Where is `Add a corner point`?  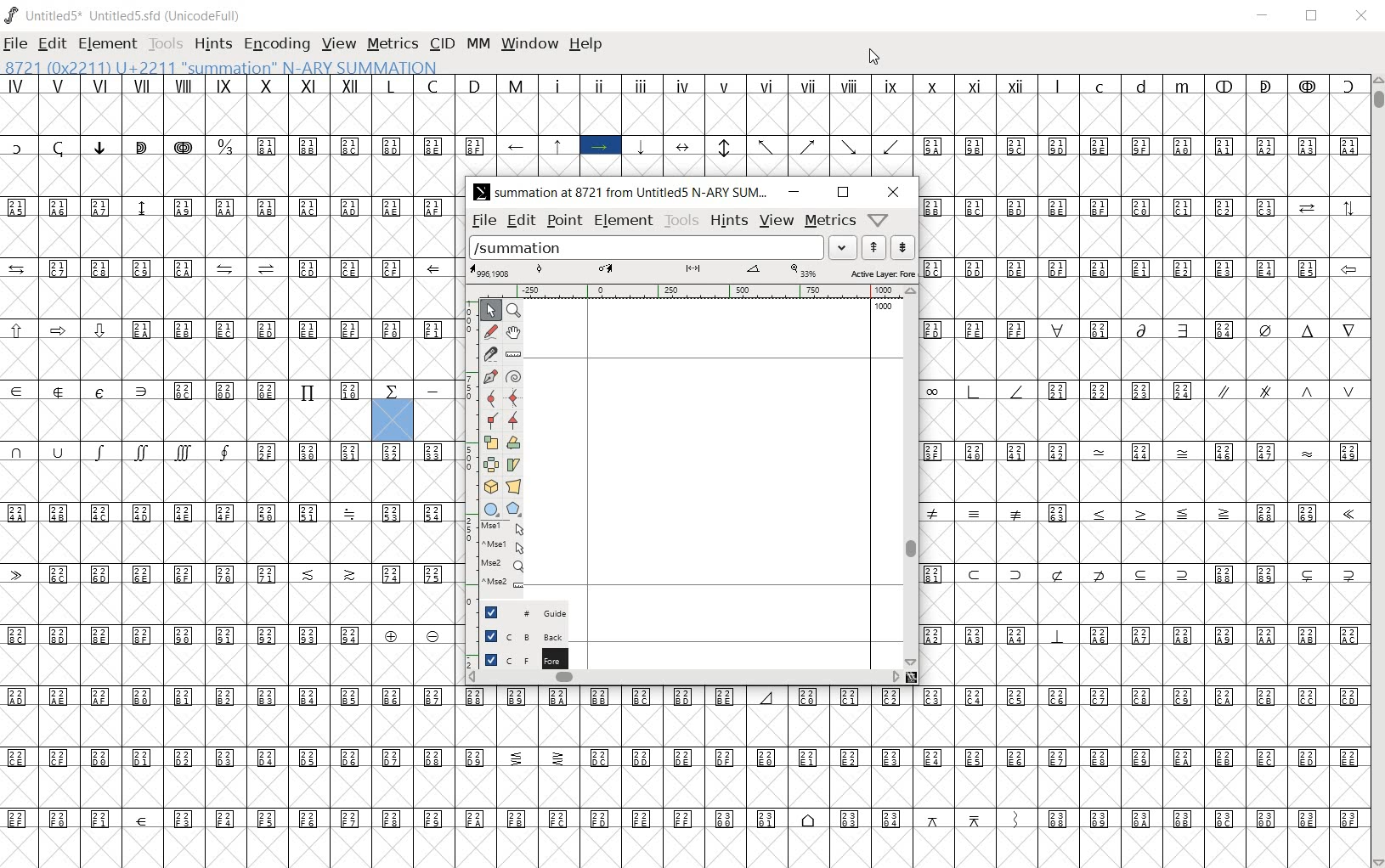 Add a corner point is located at coordinates (490, 420).